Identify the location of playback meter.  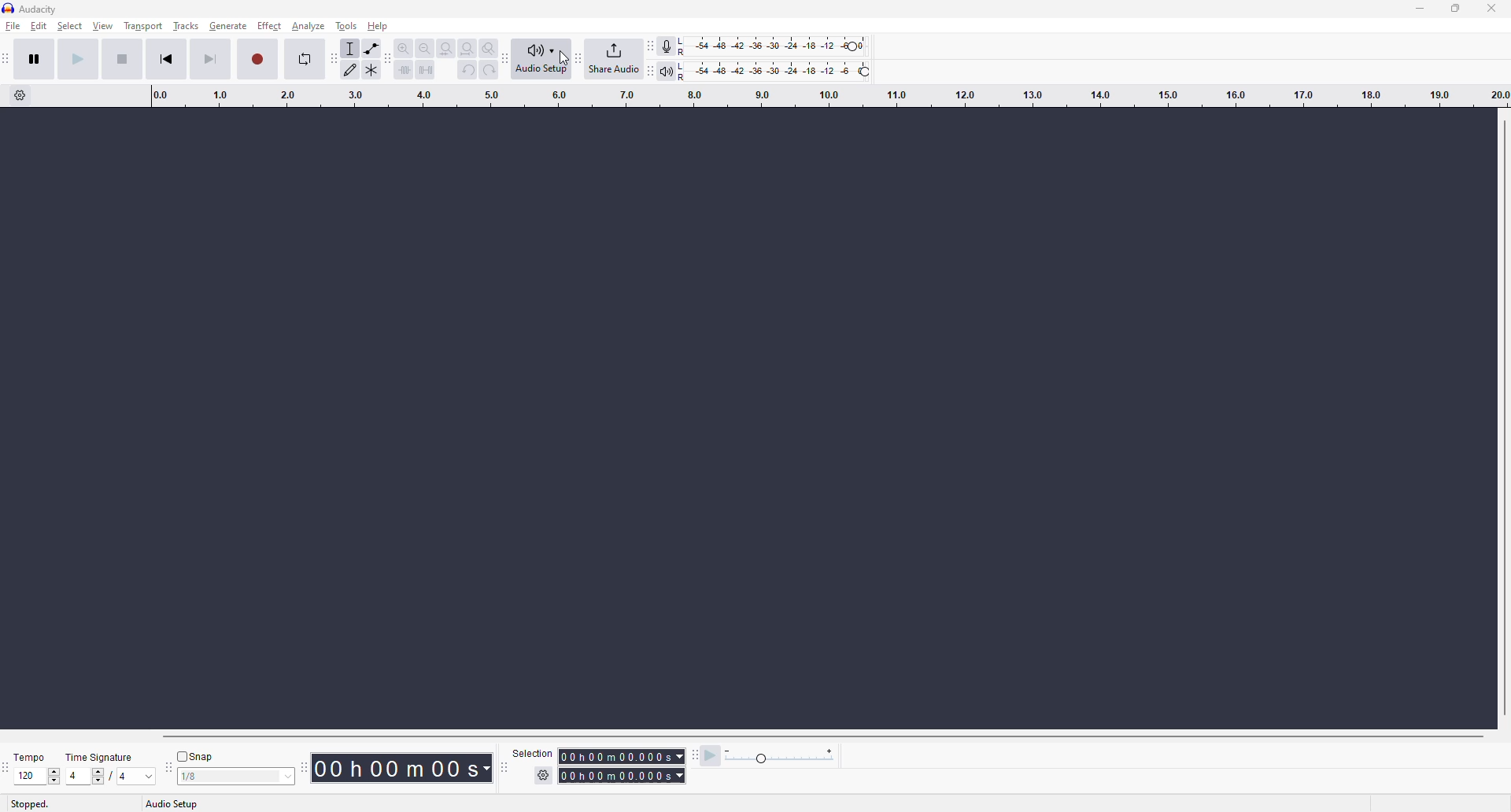
(661, 72).